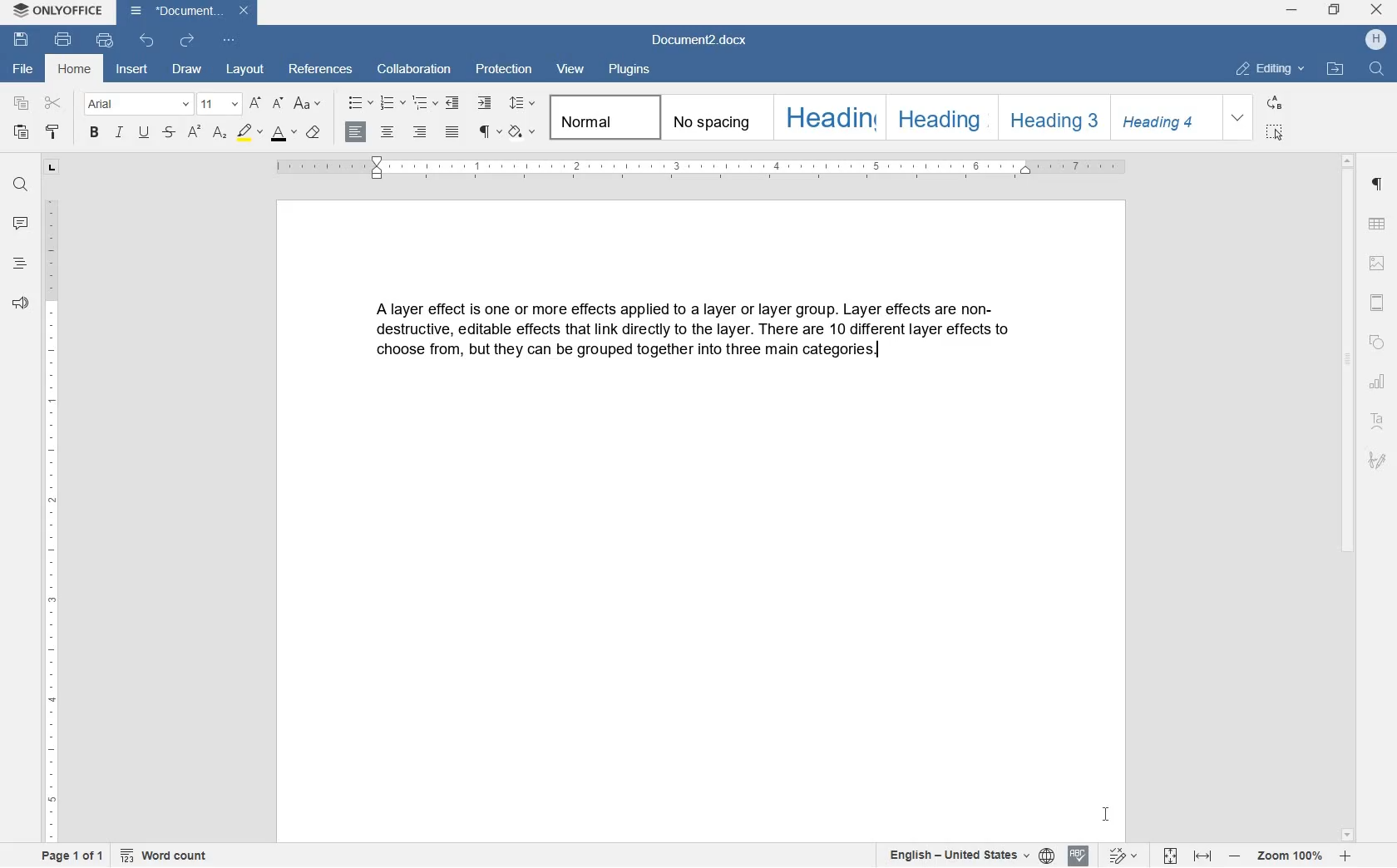 The width and height of the screenshot is (1397, 868). Describe the element at coordinates (940, 118) in the screenshot. I see `HEADING 2` at that location.